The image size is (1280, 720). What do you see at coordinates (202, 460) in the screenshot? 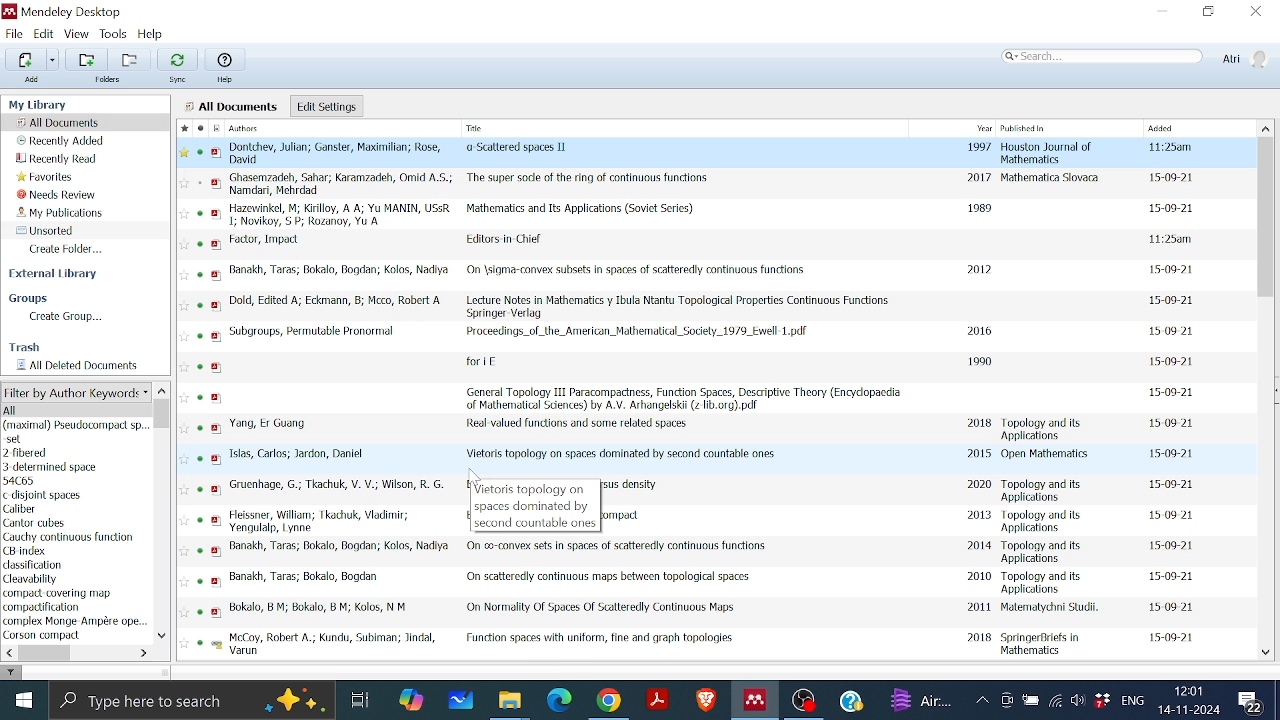
I see `read status` at bounding box center [202, 460].